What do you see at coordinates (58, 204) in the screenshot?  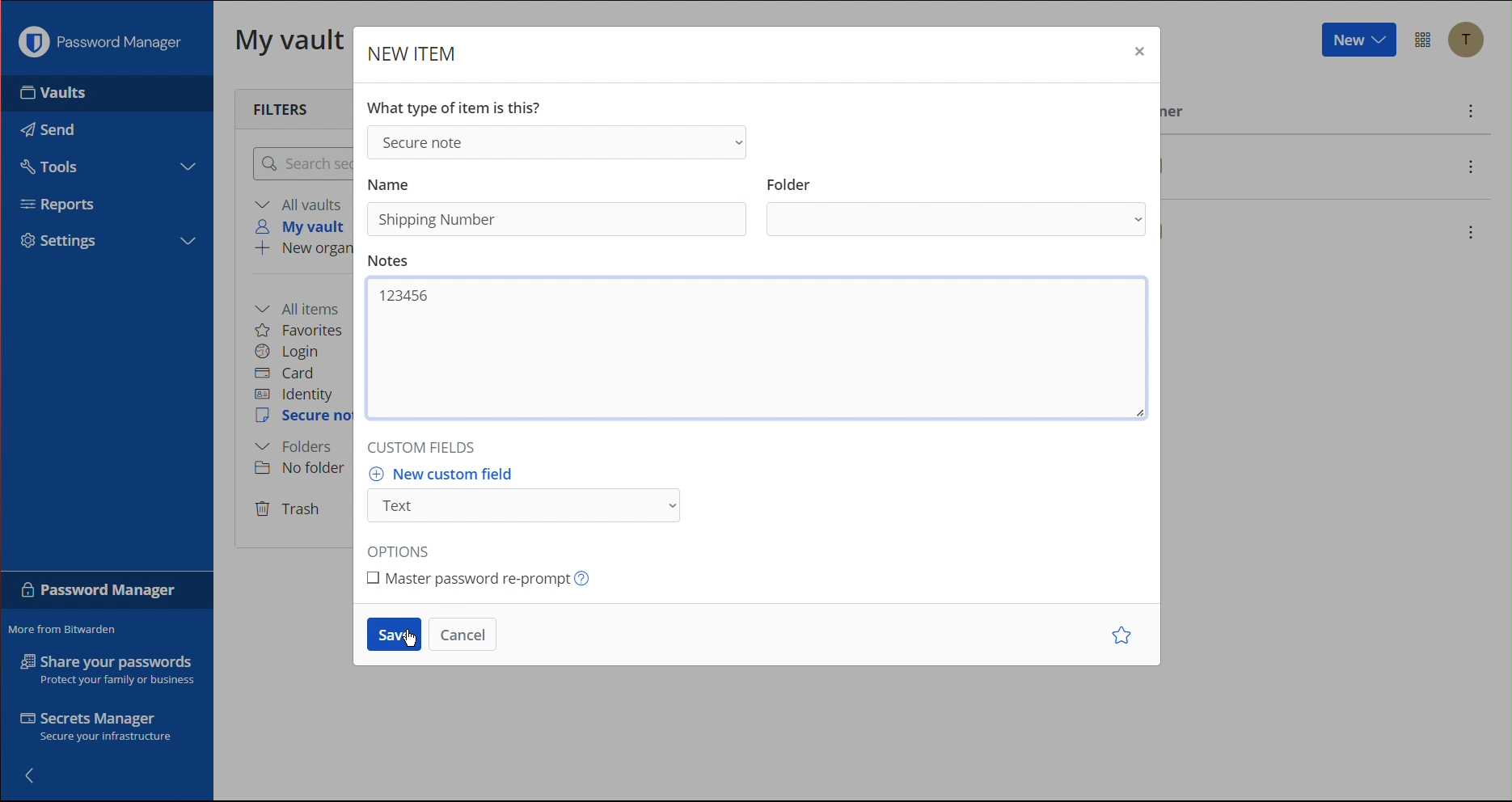 I see `Reports` at bounding box center [58, 204].